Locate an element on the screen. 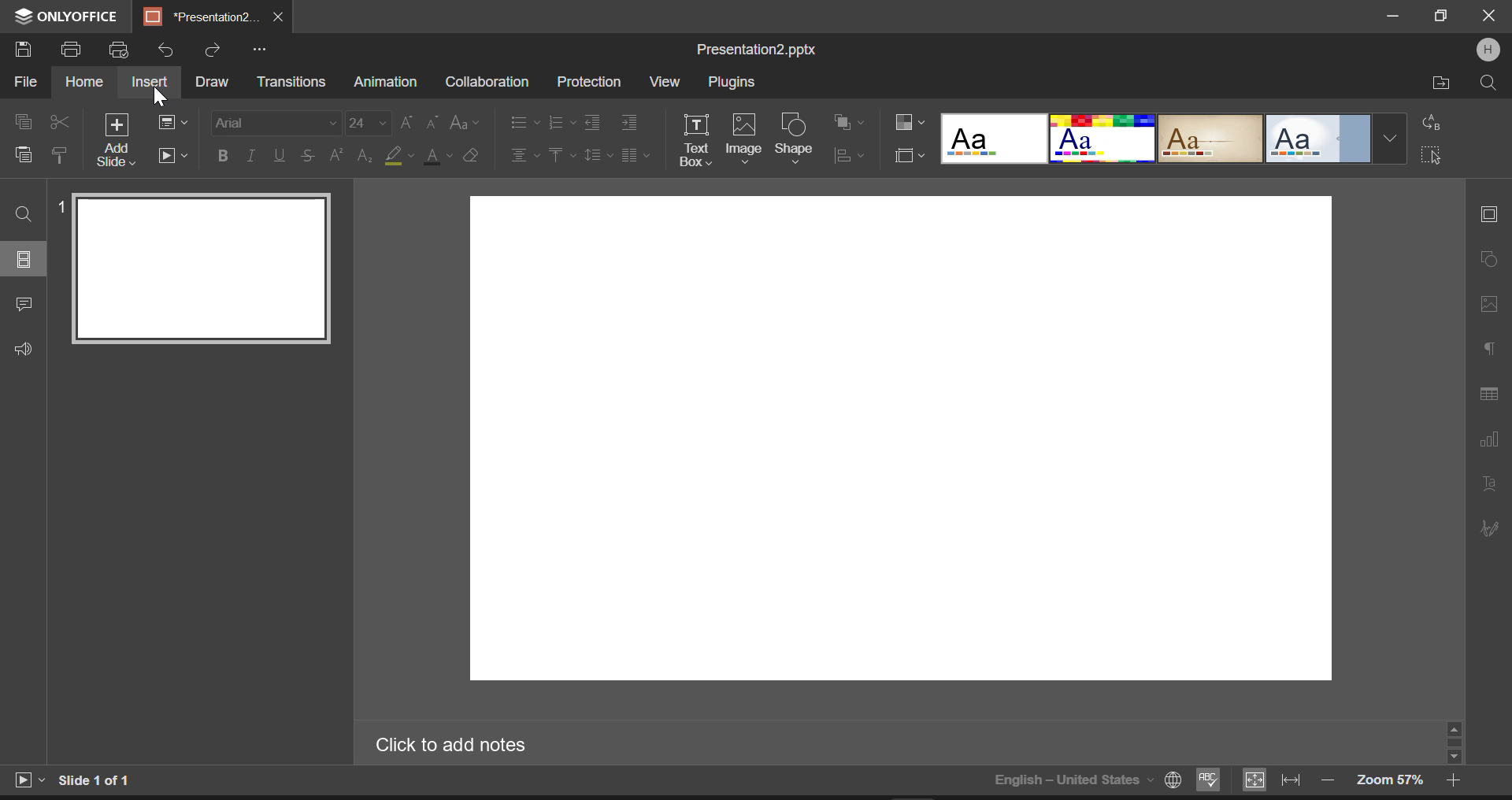 The image size is (1512, 800). Arrange Shape is located at coordinates (846, 122).